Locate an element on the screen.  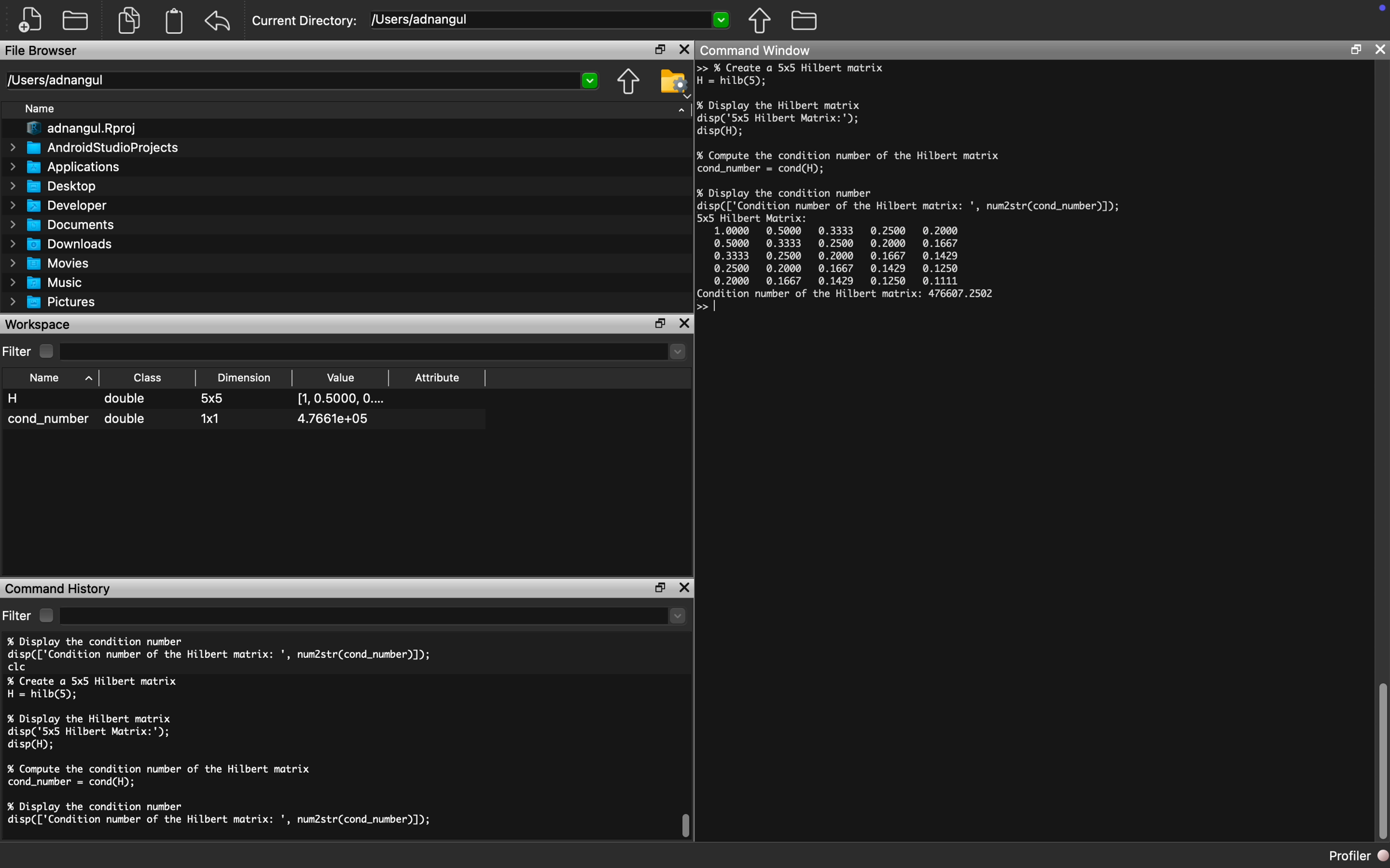
Profiler is located at coordinates (1360, 856).